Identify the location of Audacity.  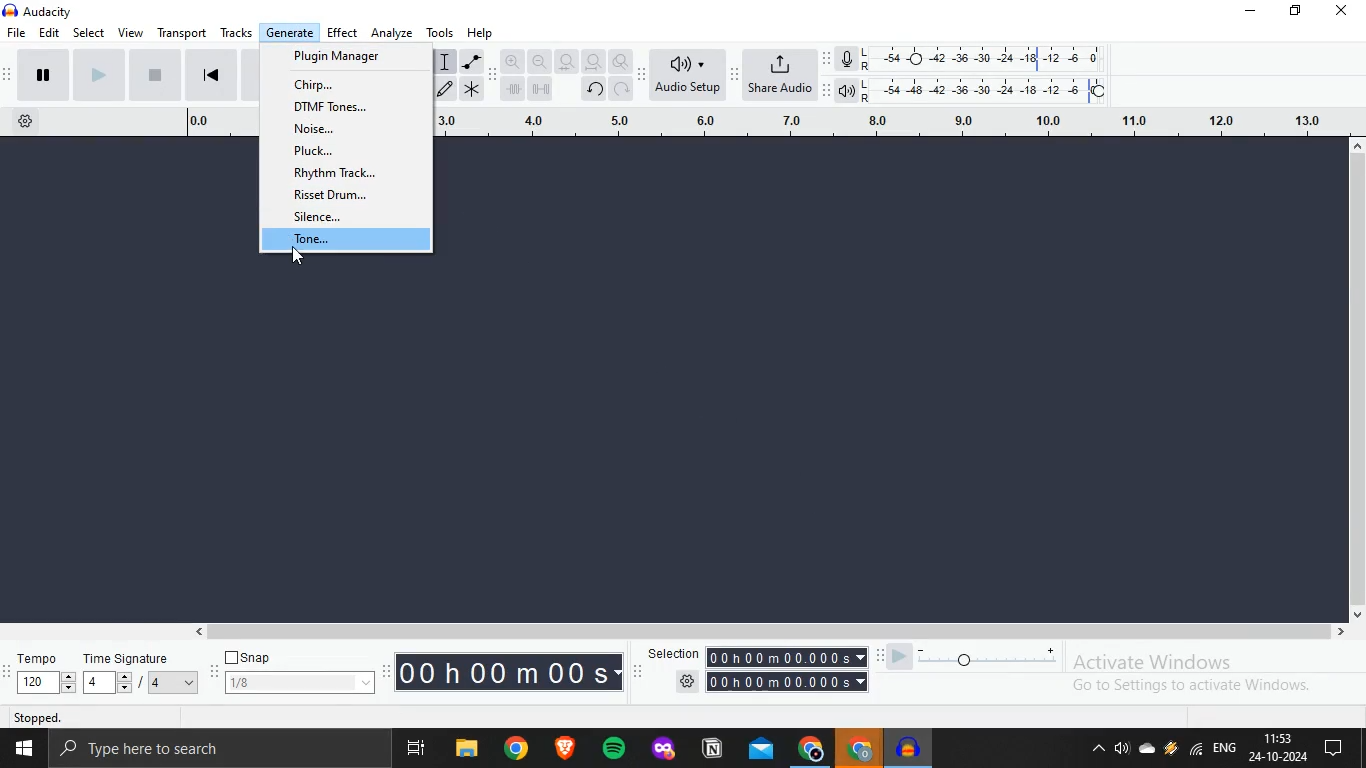
(34, 12).